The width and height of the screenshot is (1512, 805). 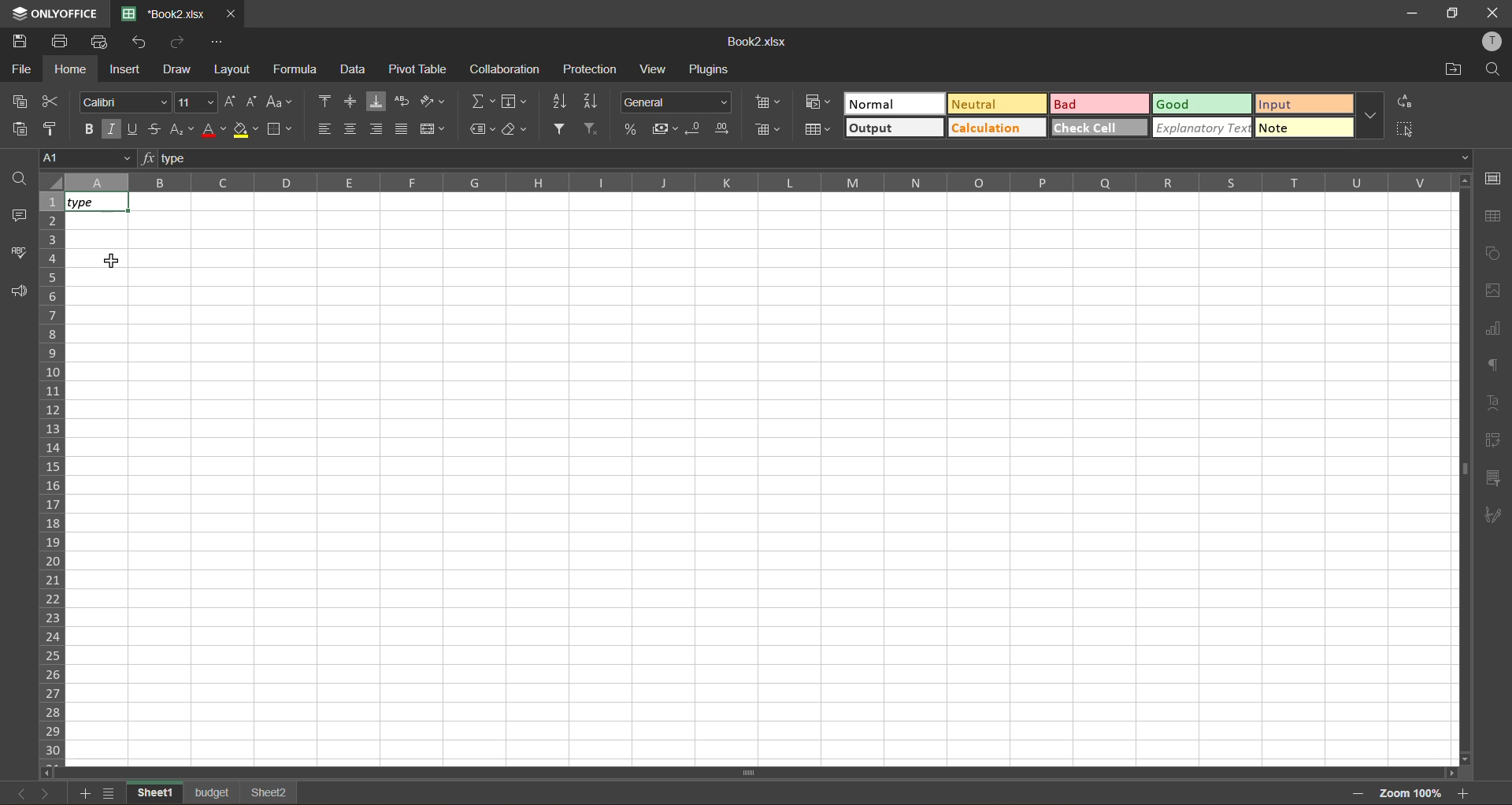 What do you see at coordinates (402, 127) in the screenshot?
I see `justified` at bounding box center [402, 127].